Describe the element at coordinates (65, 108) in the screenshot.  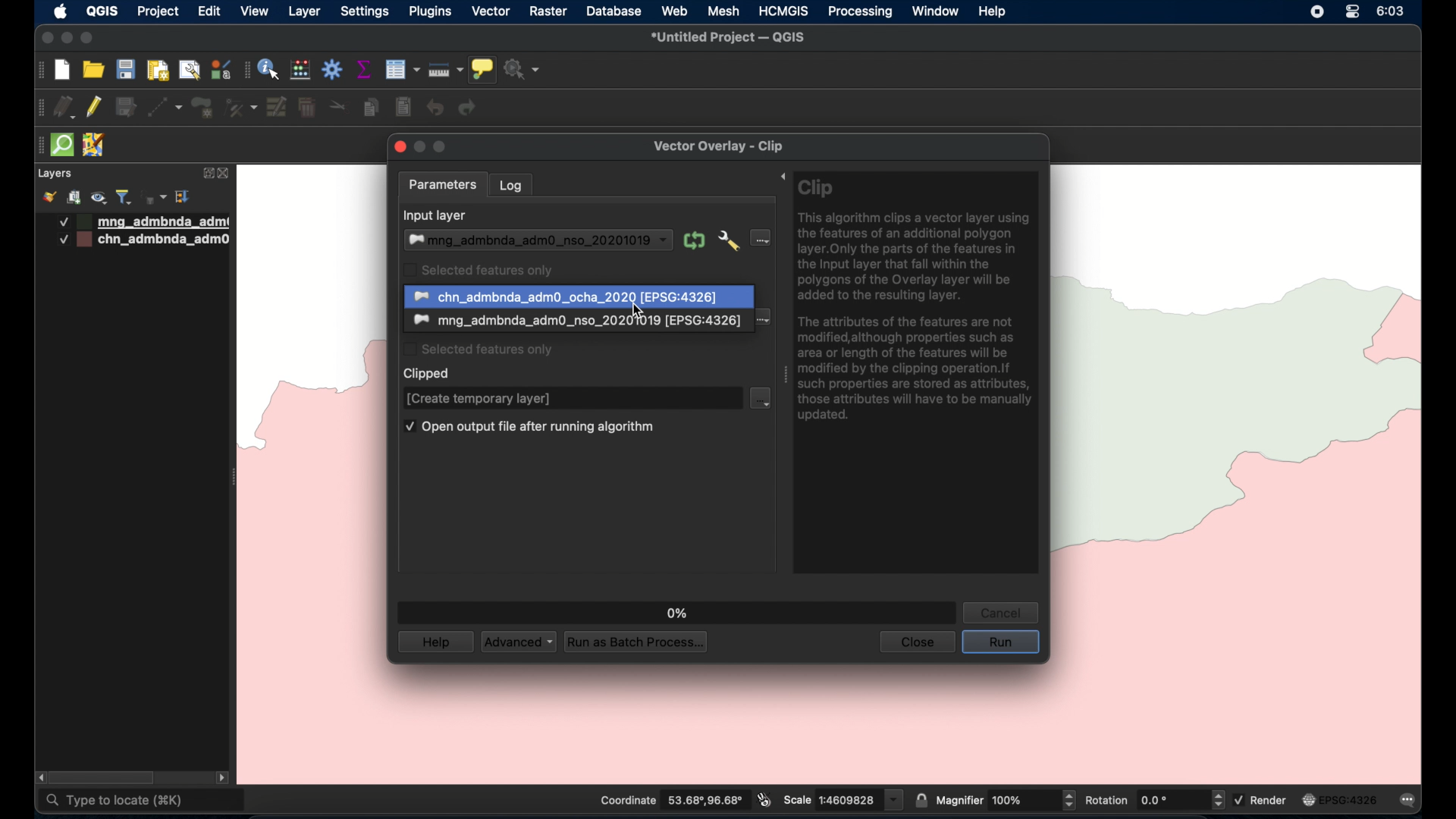
I see `current edits` at that location.